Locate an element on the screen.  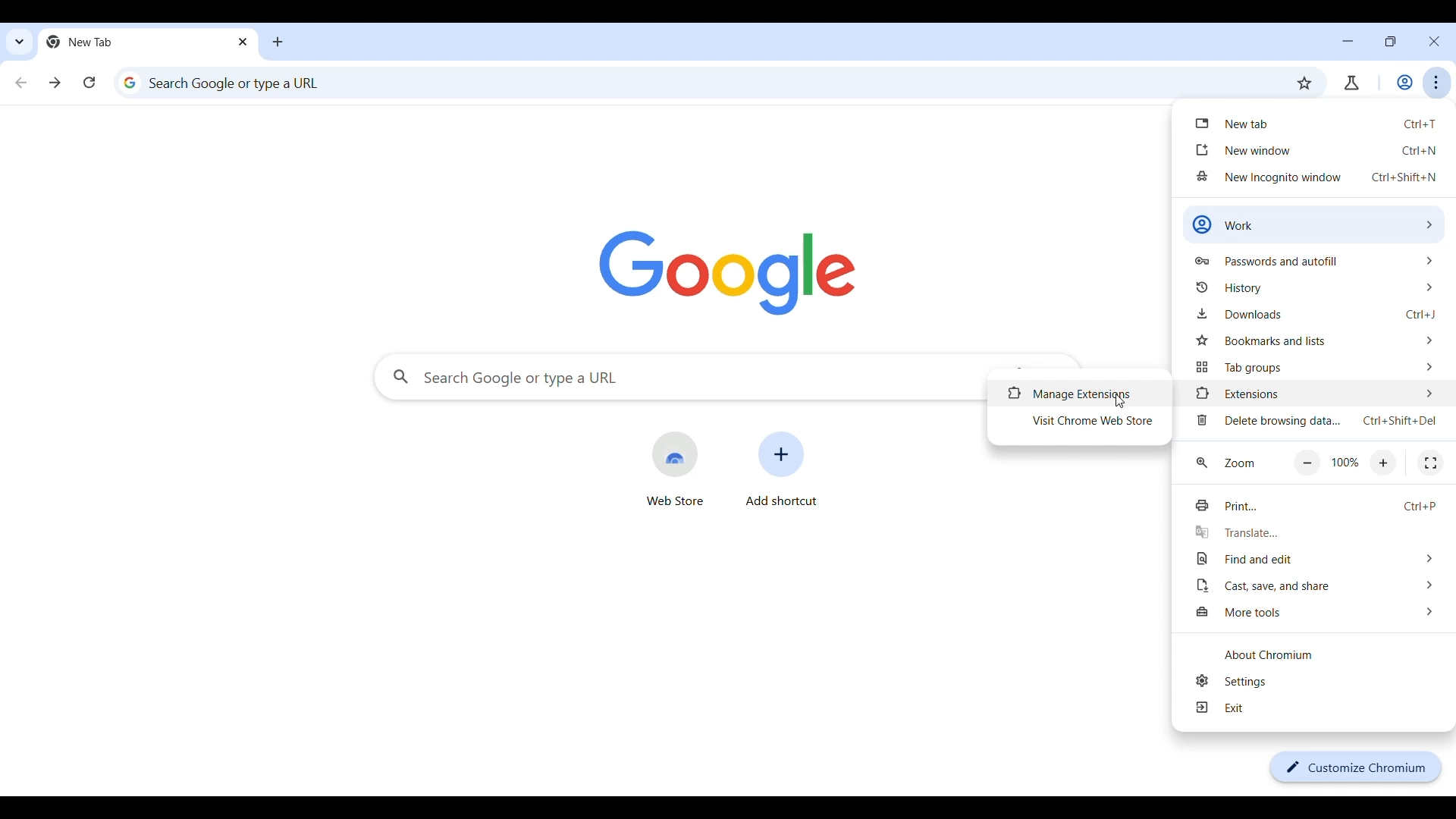
Open new tab is located at coordinates (1312, 122).